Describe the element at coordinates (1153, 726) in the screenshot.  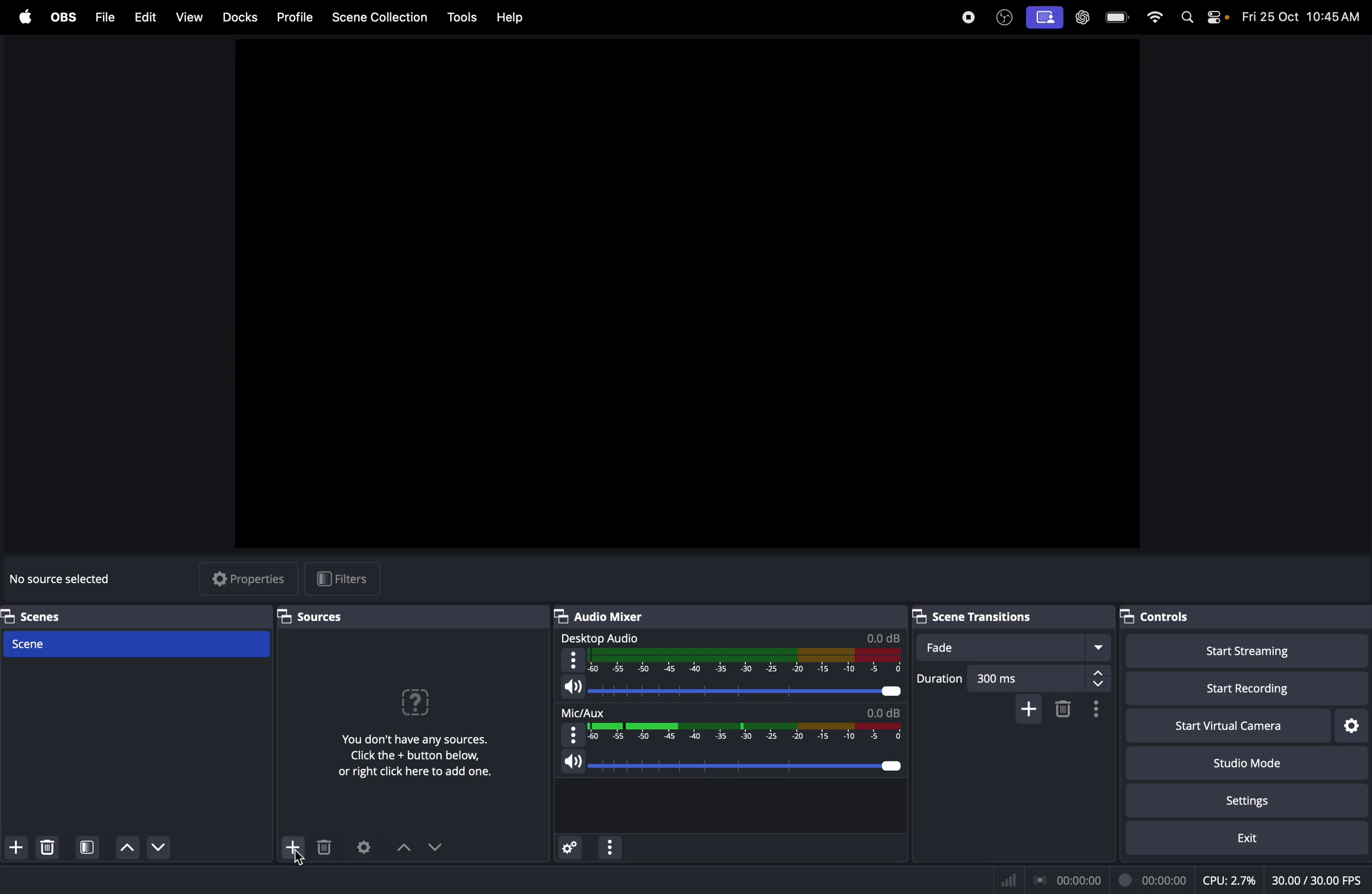
I see `start virtual camera` at that location.